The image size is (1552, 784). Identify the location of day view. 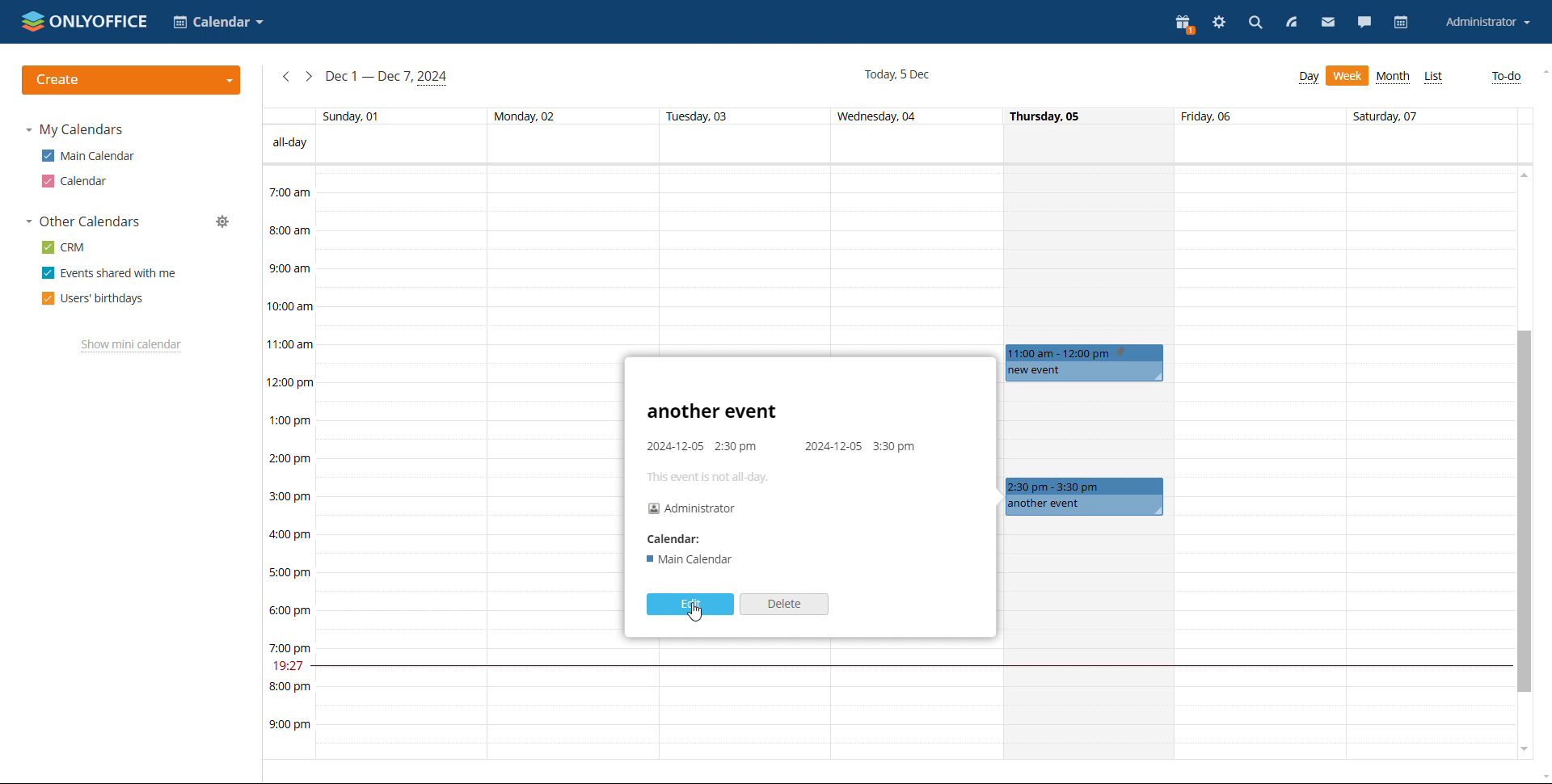
(1347, 75).